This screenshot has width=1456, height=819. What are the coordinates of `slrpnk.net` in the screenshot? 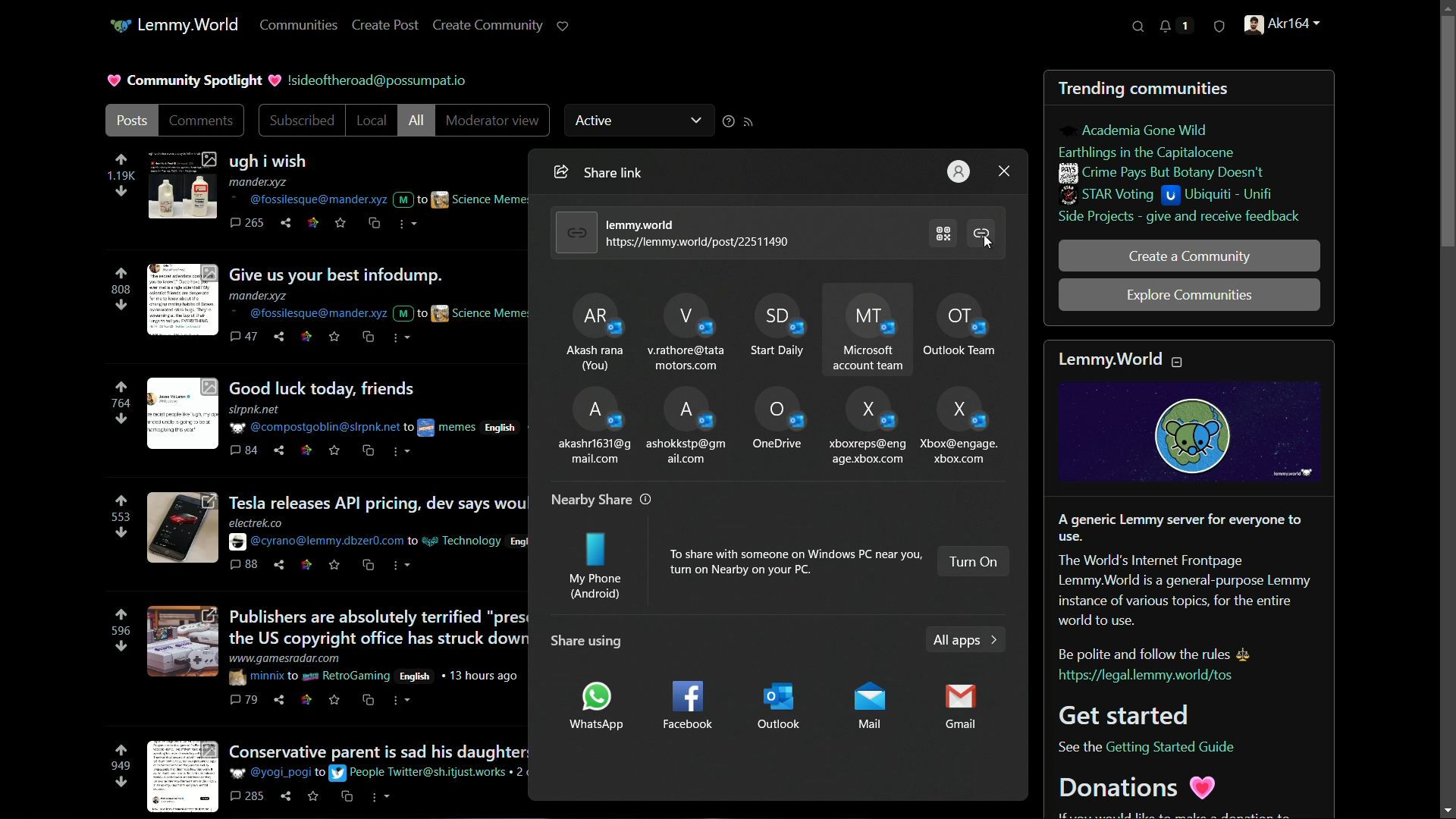 It's located at (256, 410).